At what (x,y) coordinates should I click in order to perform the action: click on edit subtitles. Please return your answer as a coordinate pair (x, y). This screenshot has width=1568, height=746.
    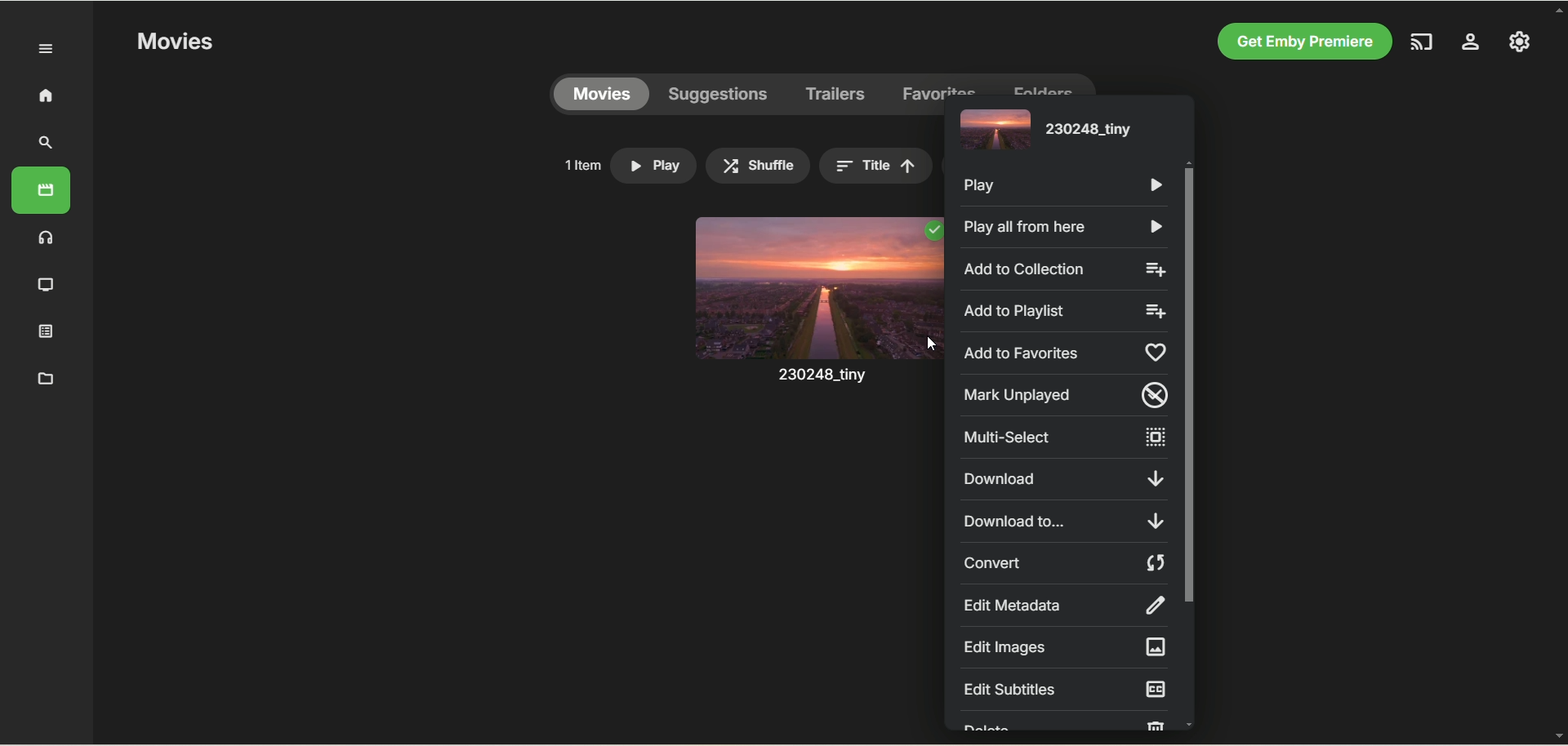
    Looking at the image, I should click on (1065, 689).